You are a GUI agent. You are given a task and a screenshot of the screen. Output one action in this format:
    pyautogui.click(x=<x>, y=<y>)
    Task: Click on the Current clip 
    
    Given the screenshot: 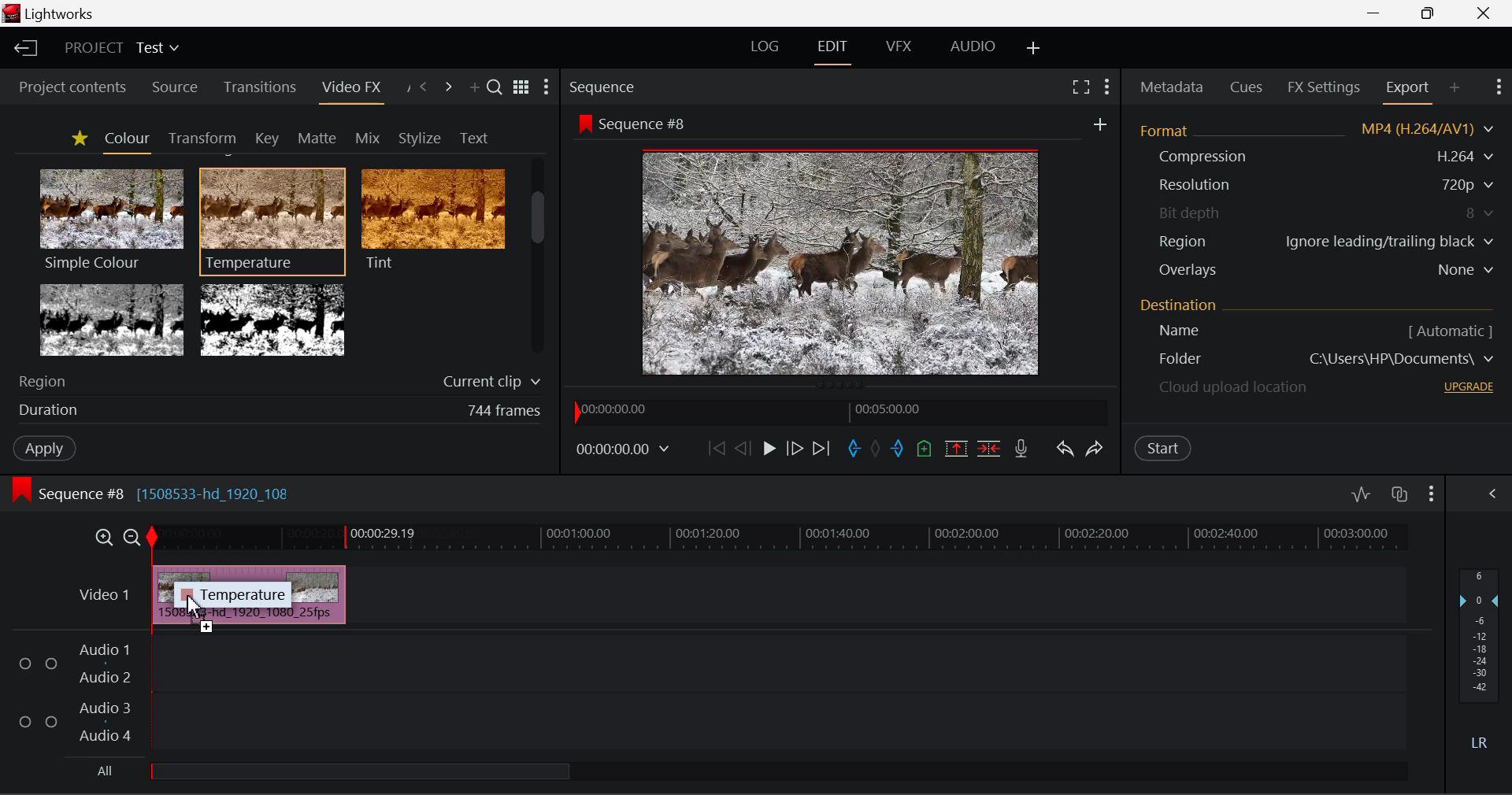 What is the action you would take?
    pyautogui.click(x=489, y=383)
    